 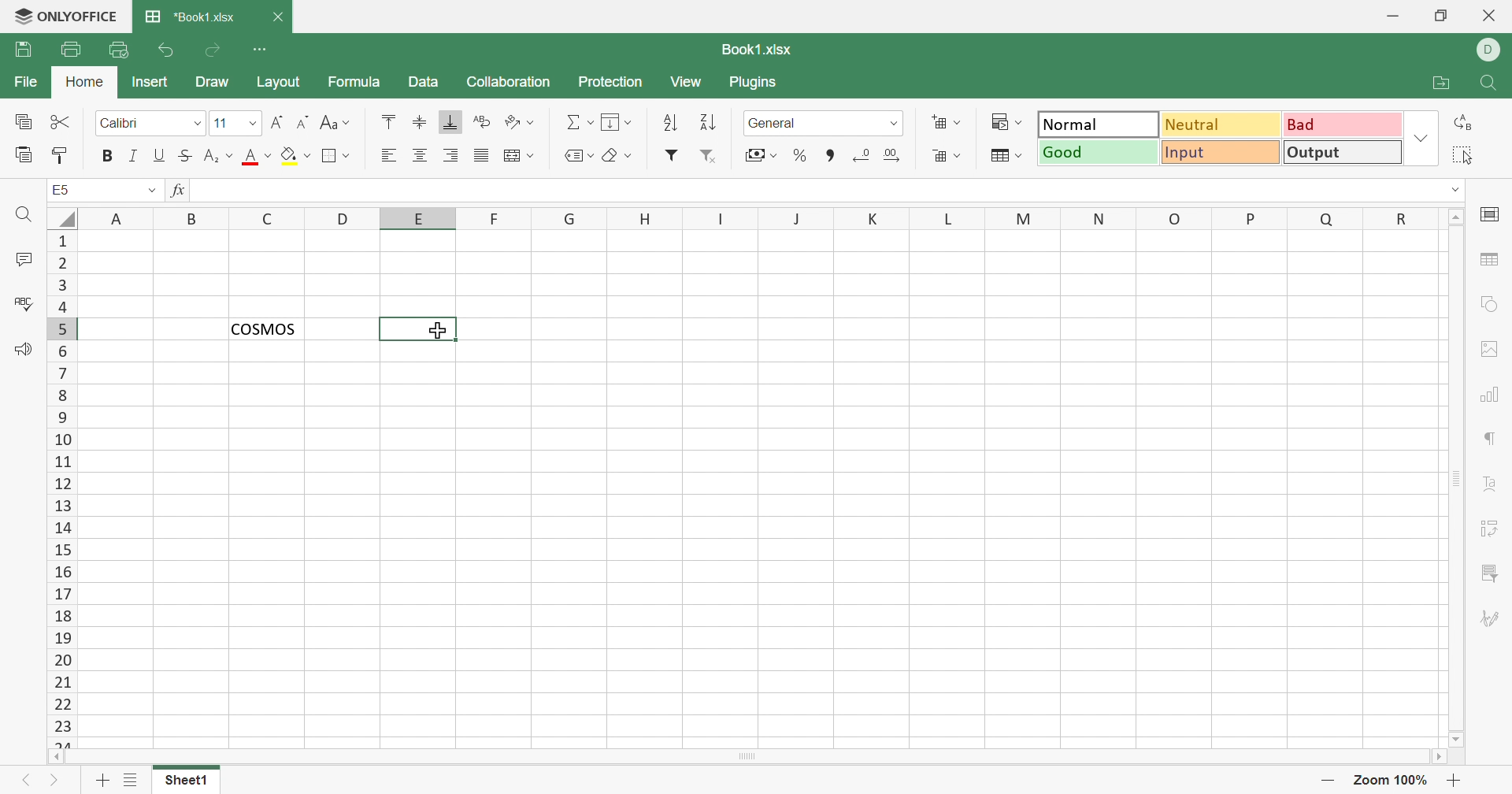 I want to click on Format as table template, so click(x=1007, y=157).